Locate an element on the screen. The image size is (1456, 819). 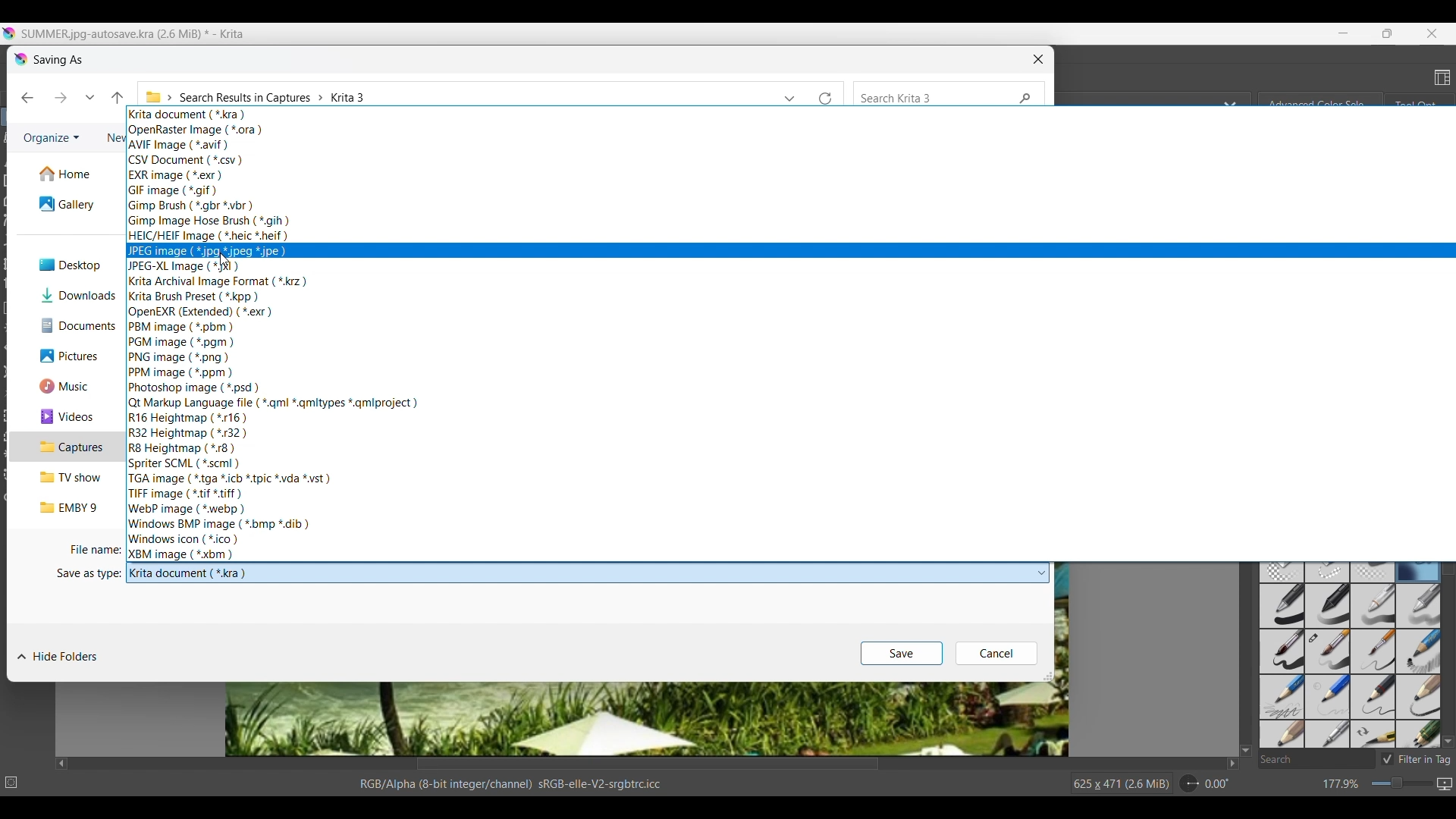
SUMMER.jpg-autosave.kra(2.6MB)*-Krita is located at coordinates (135, 34).